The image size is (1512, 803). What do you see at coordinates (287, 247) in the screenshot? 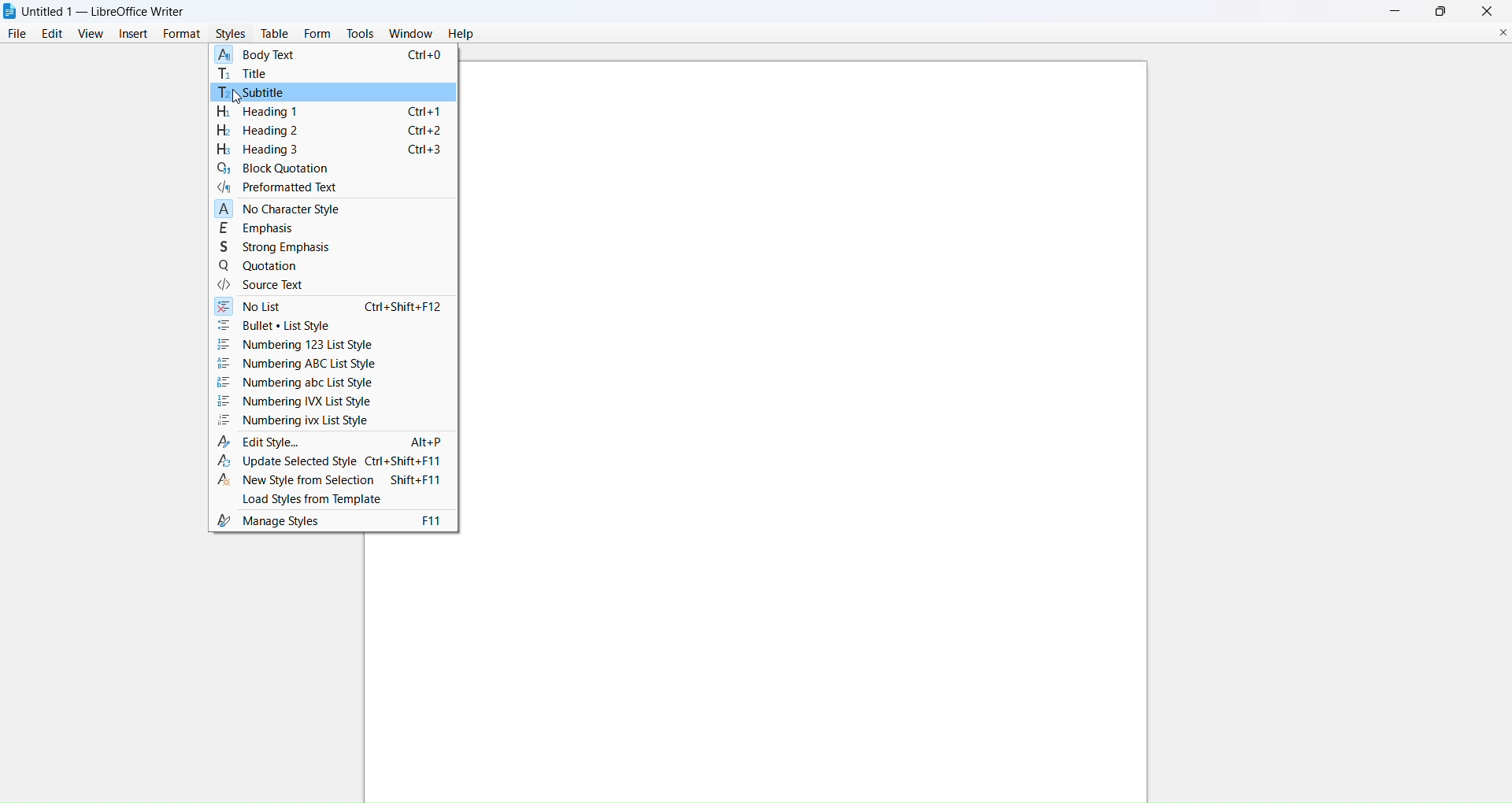
I see `strong emphasis` at bounding box center [287, 247].